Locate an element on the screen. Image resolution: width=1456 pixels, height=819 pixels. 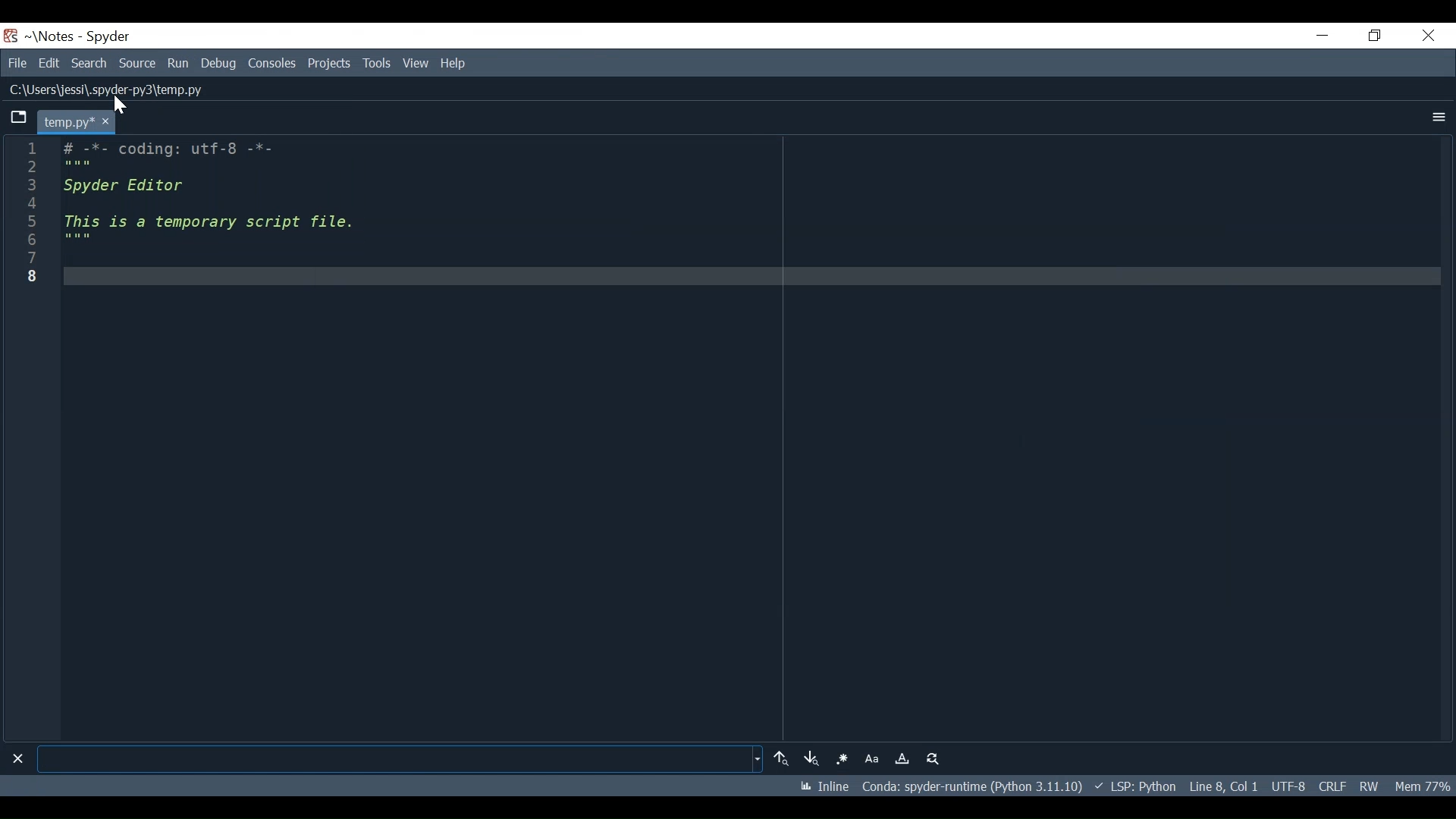
Memory Usage is located at coordinates (1425, 784).